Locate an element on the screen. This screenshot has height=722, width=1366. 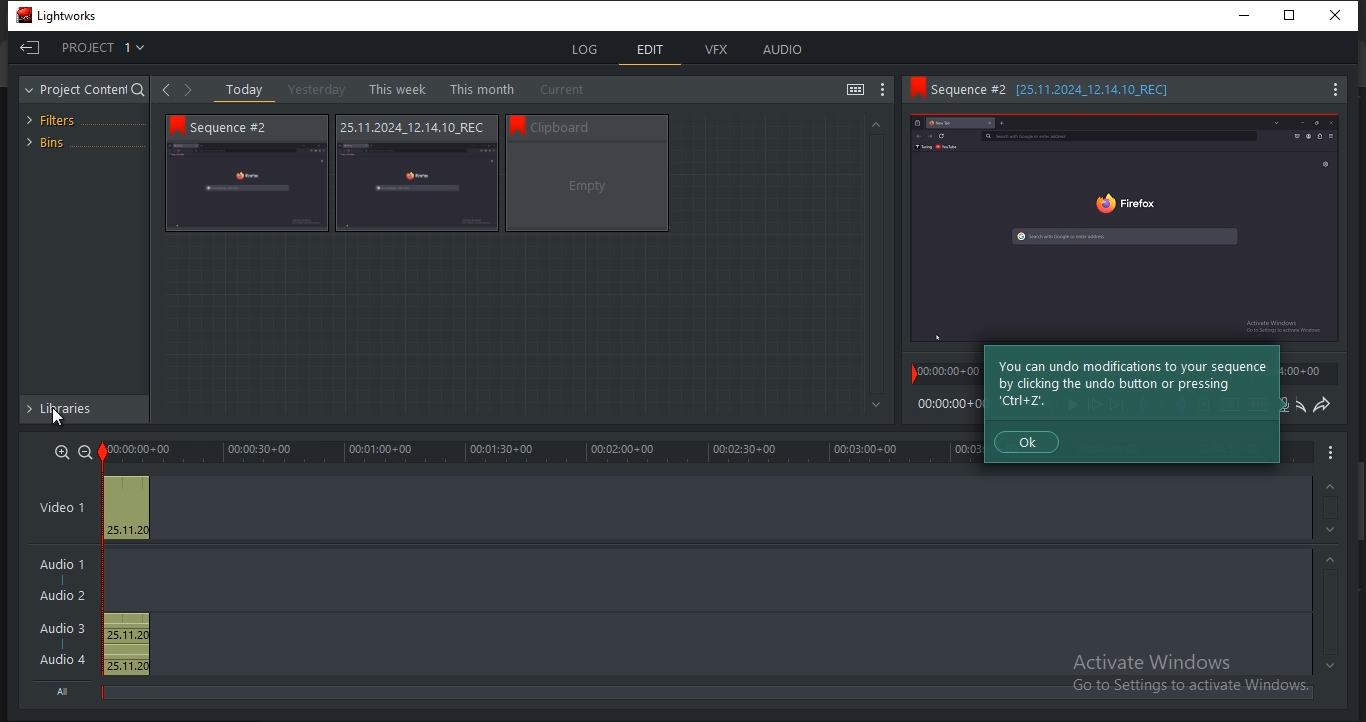
zoom in is located at coordinates (62, 453).